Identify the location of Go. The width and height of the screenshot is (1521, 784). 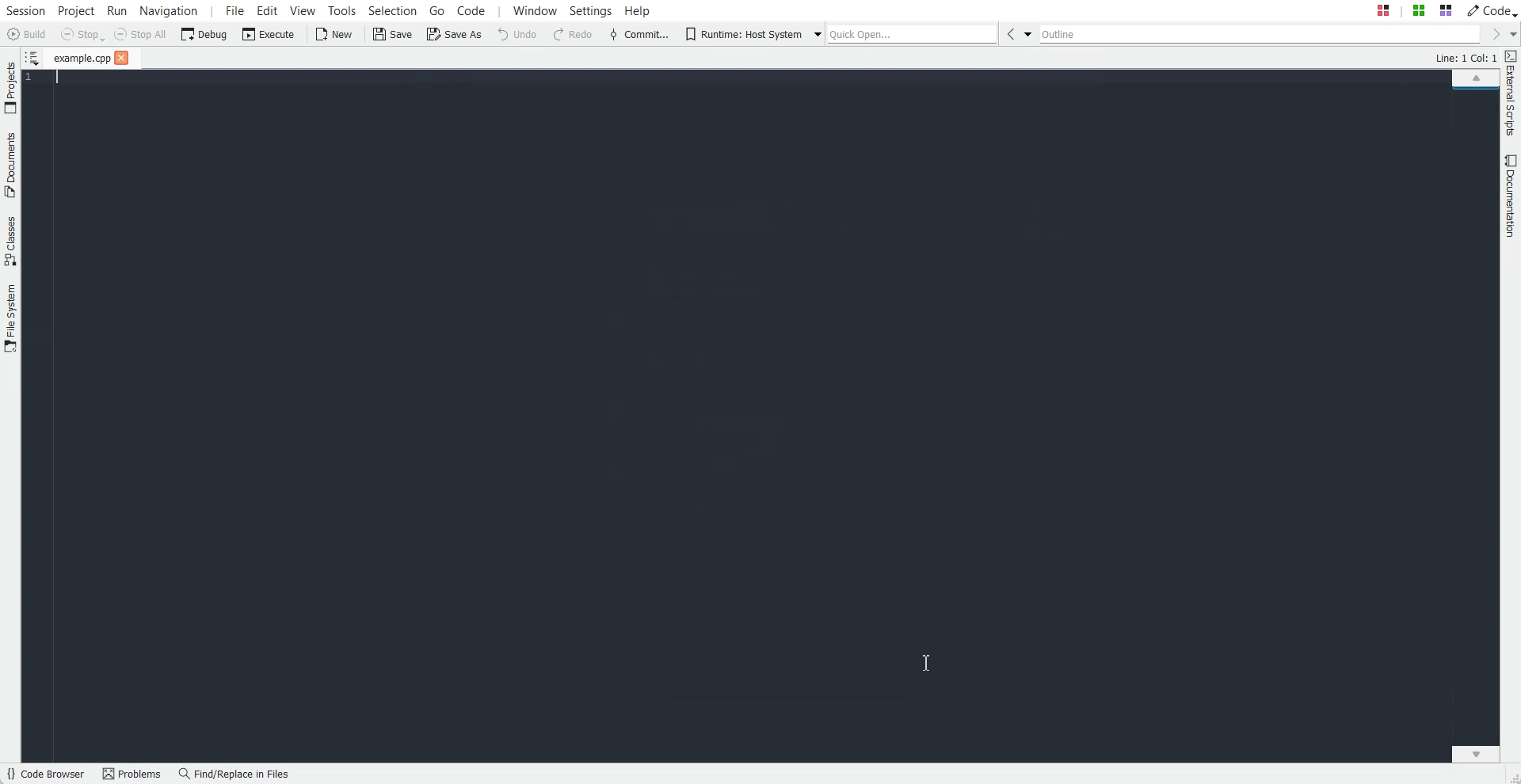
(437, 10).